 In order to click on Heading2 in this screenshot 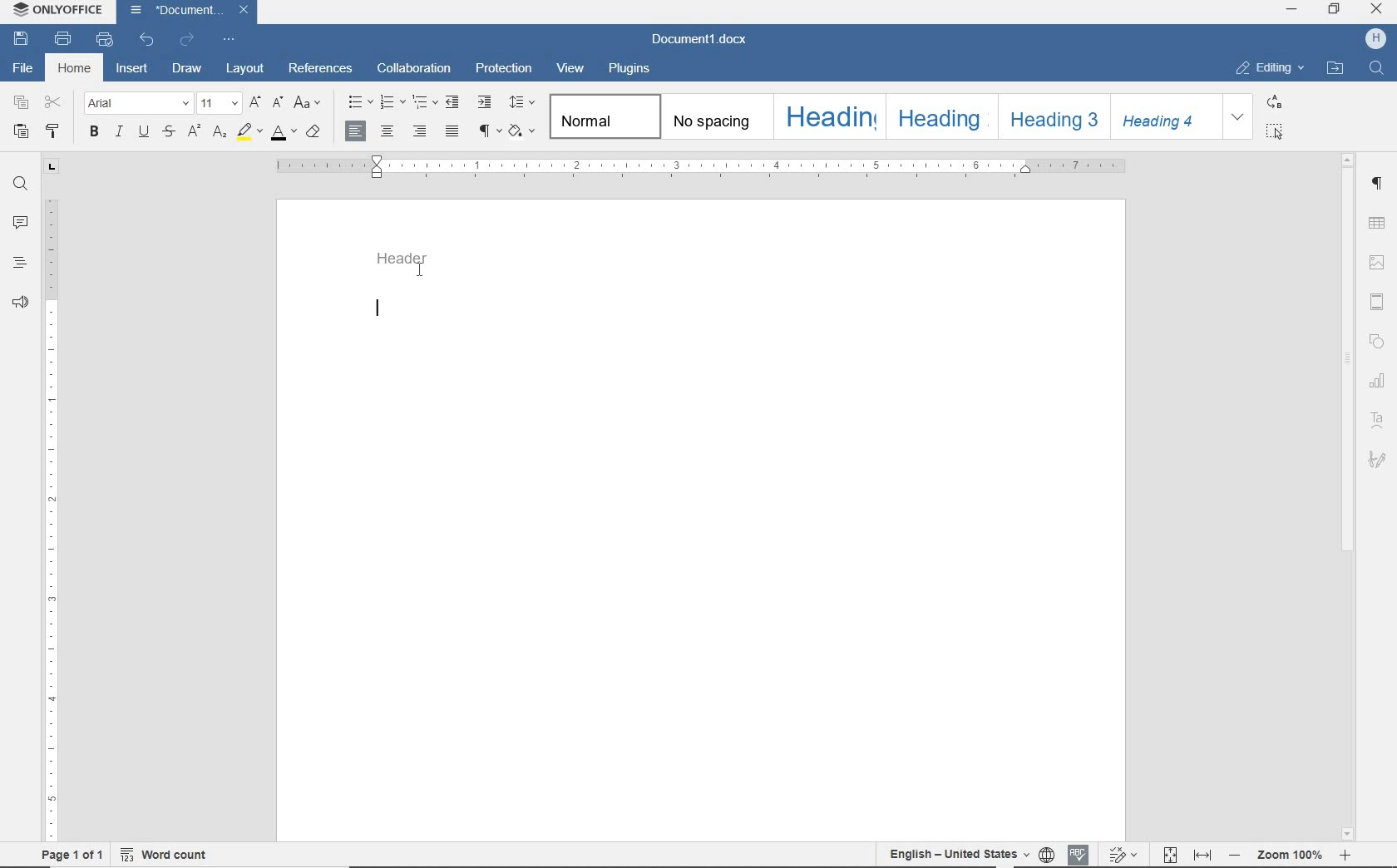, I will do `click(940, 116)`.